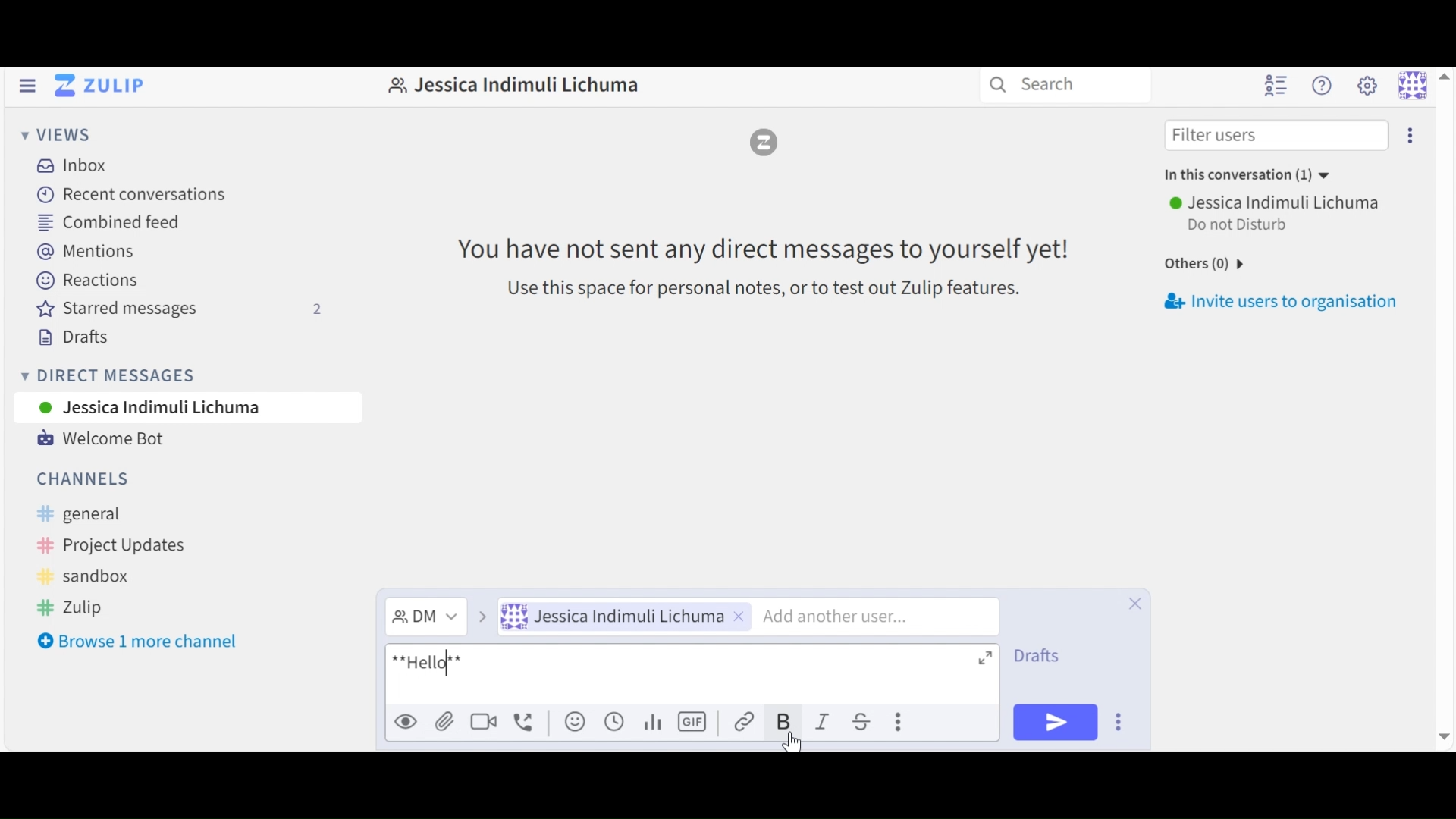  Describe the element at coordinates (1219, 135) in the screenshot. I see `filter users` at that location.